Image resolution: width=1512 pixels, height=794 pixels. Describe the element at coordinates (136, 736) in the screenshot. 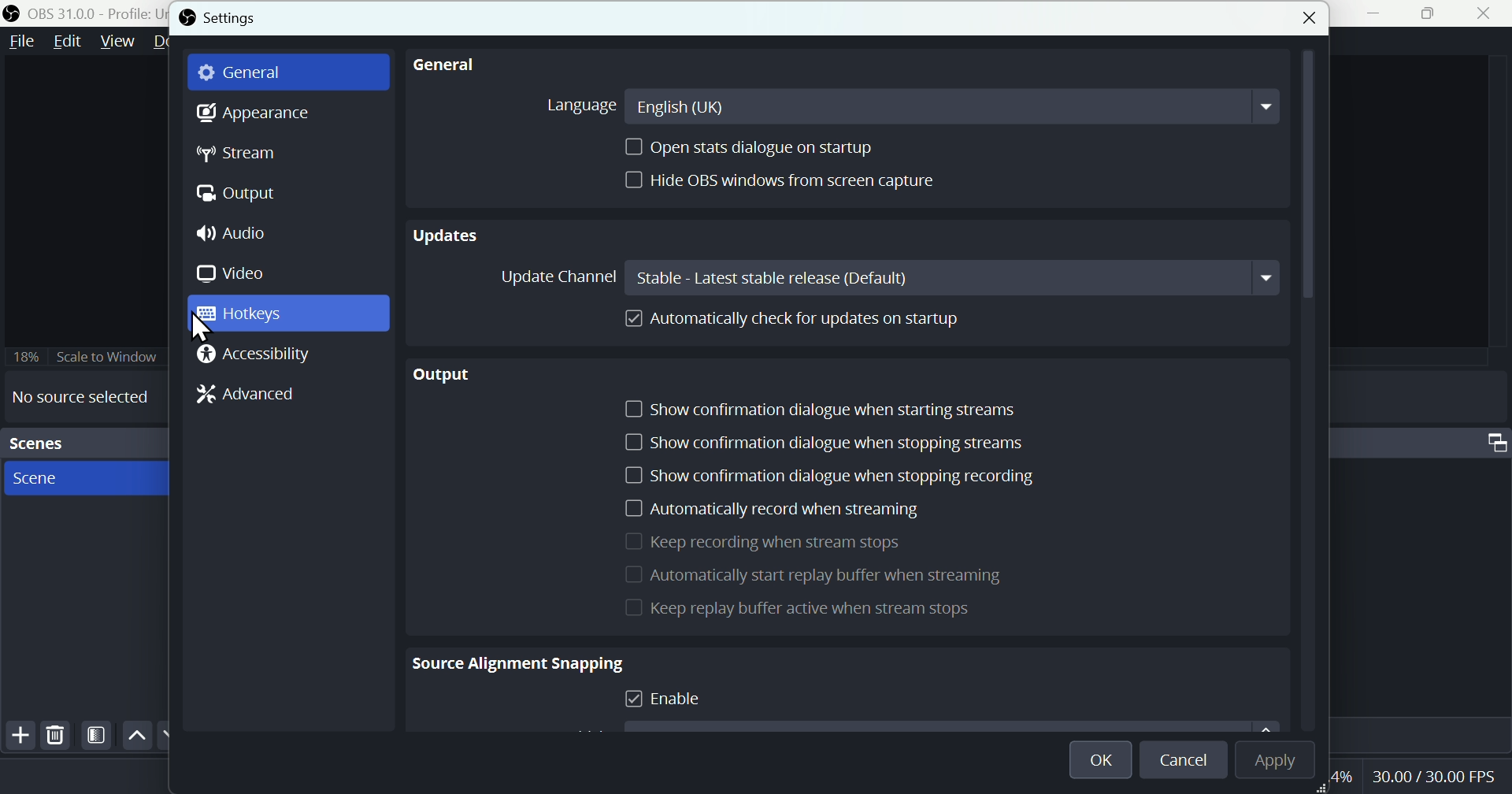

I see `up` at that location.